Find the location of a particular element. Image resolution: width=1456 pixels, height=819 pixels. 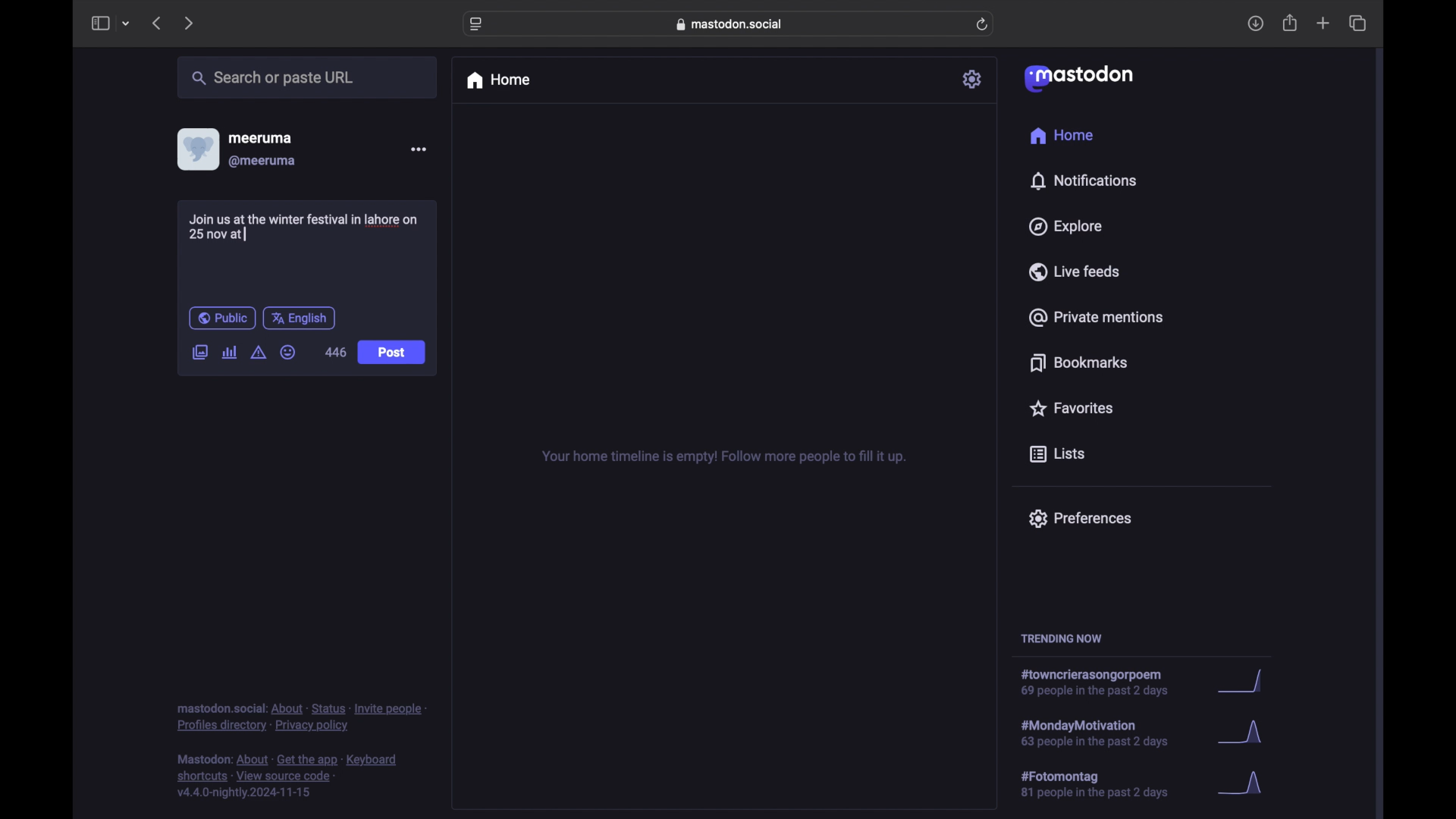

favorites is located at coordinates (1070, 408).